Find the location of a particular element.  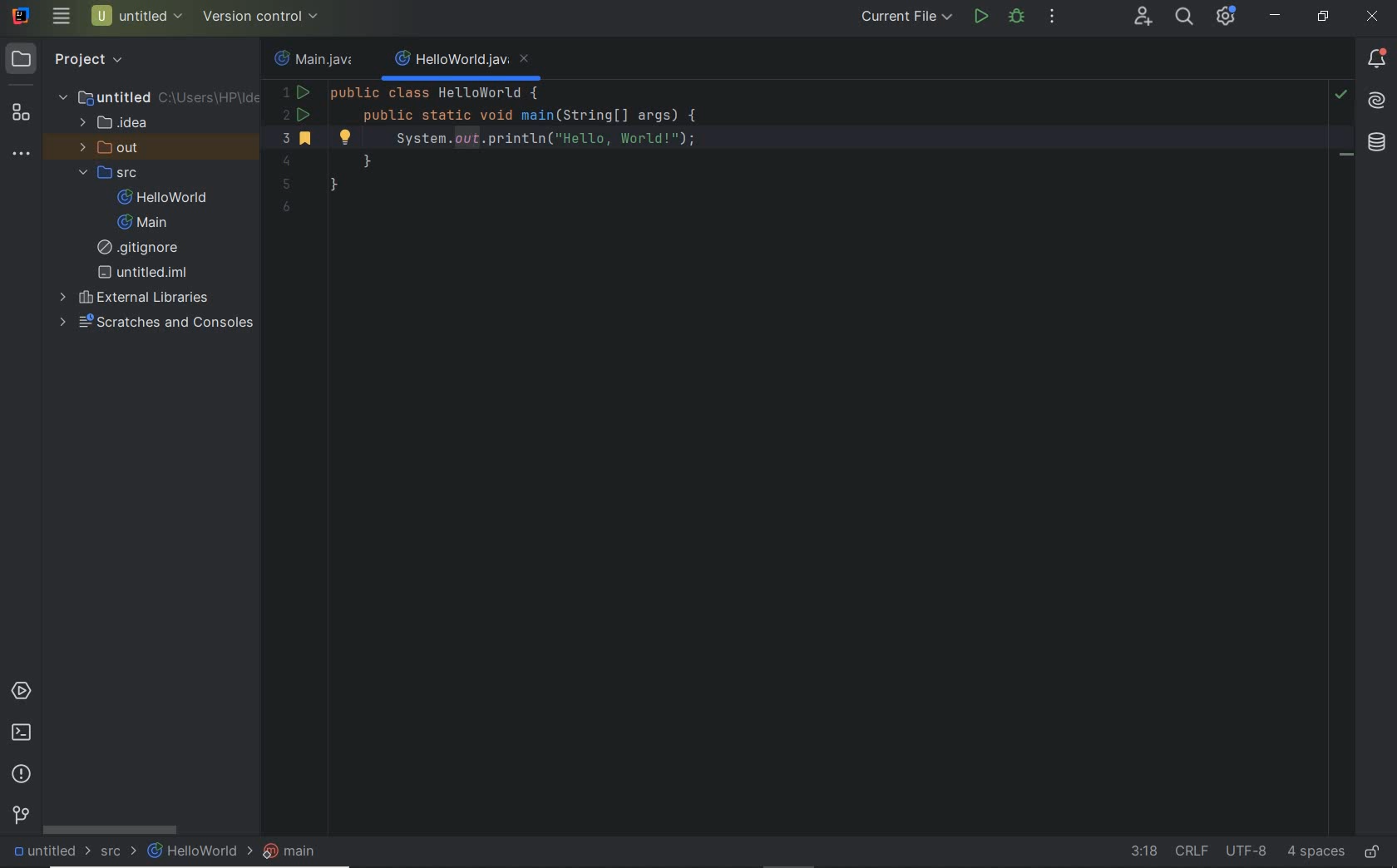

untitled is located at coordinates (137, 16).